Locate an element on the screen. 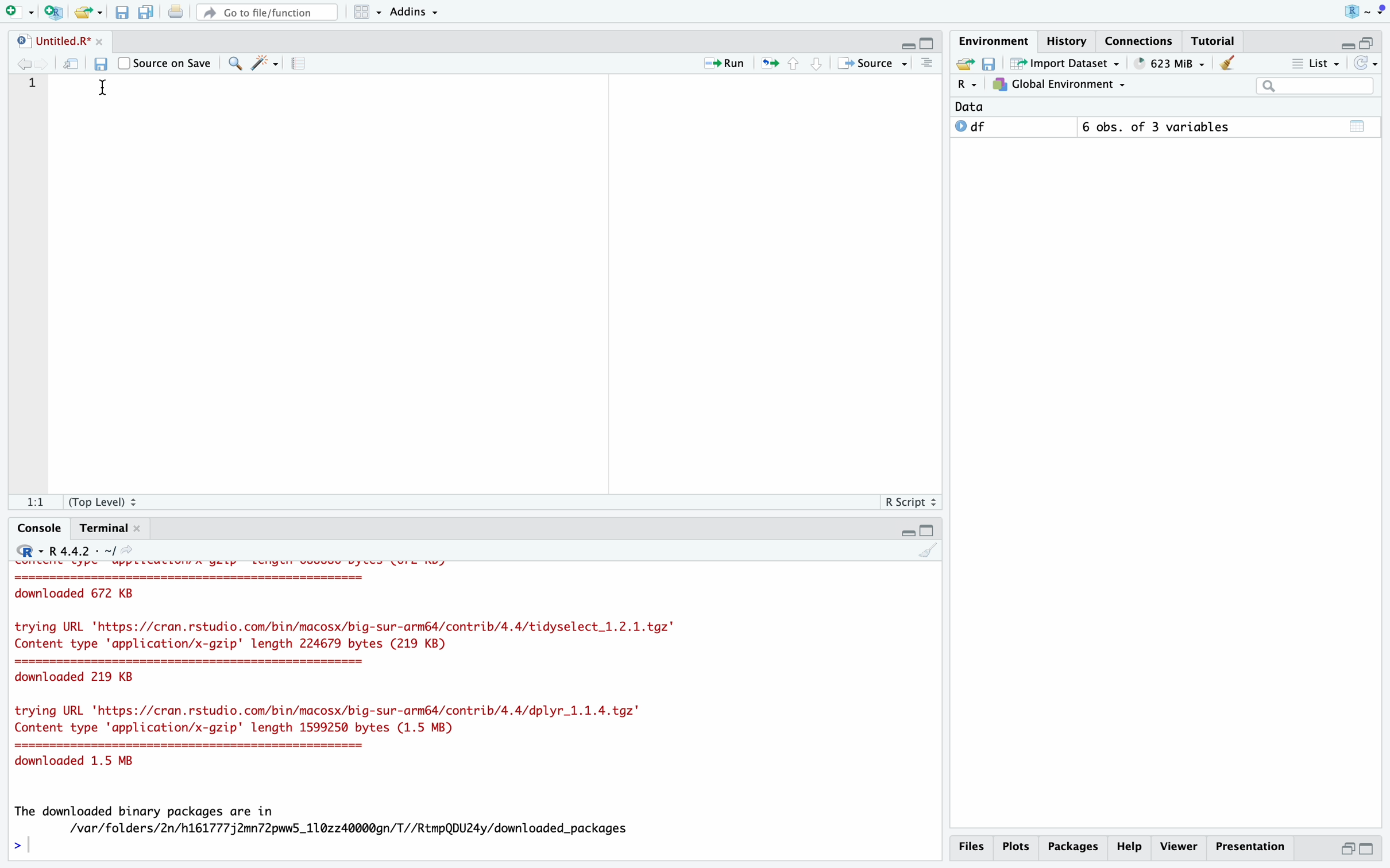 This screenshot has width=1390, height=868. Save is located at coordinates (993, 63).